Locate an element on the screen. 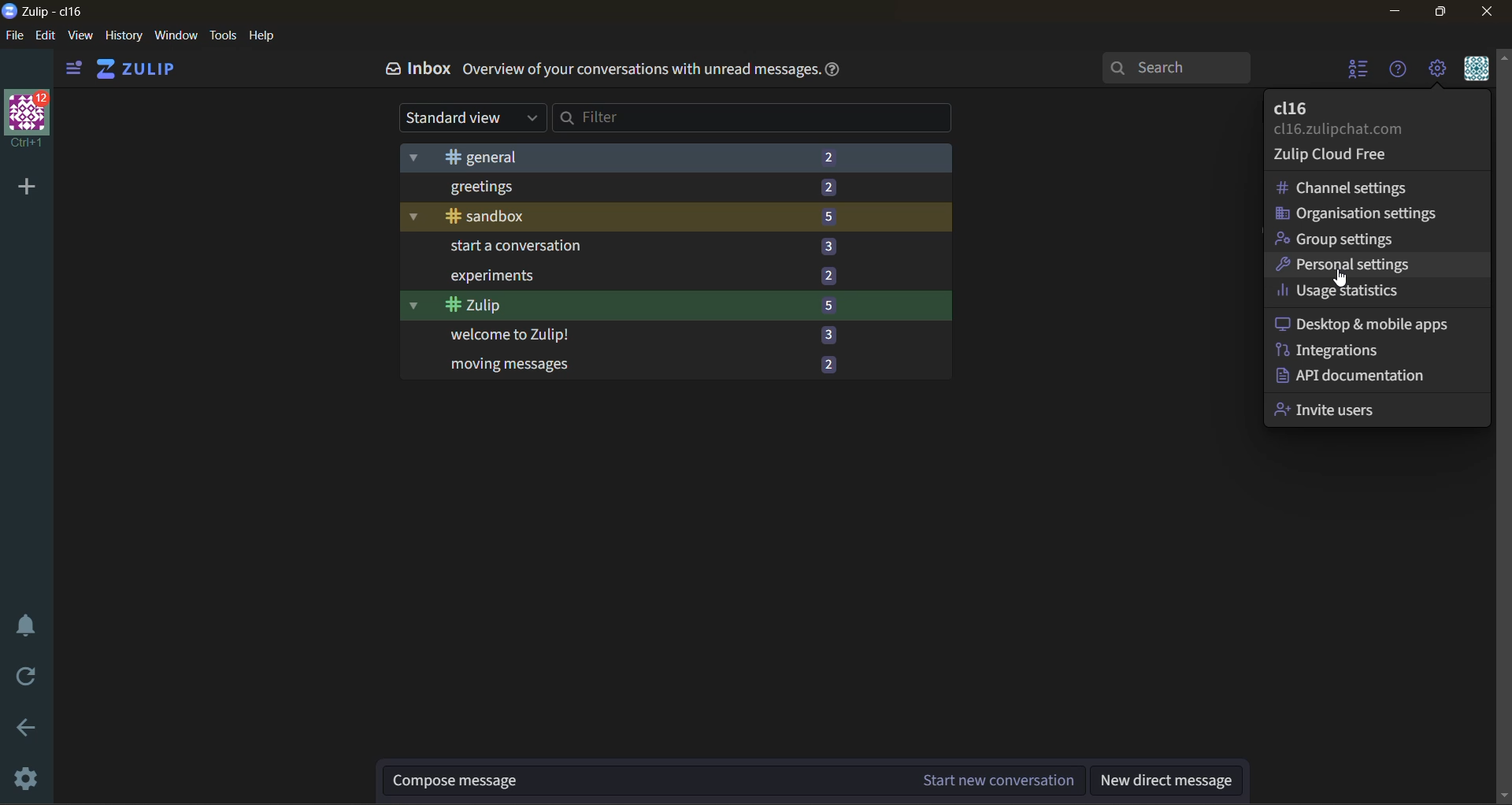 This screenshot has width=1512, height=805. moving messages is located at coordinates (631, 365).